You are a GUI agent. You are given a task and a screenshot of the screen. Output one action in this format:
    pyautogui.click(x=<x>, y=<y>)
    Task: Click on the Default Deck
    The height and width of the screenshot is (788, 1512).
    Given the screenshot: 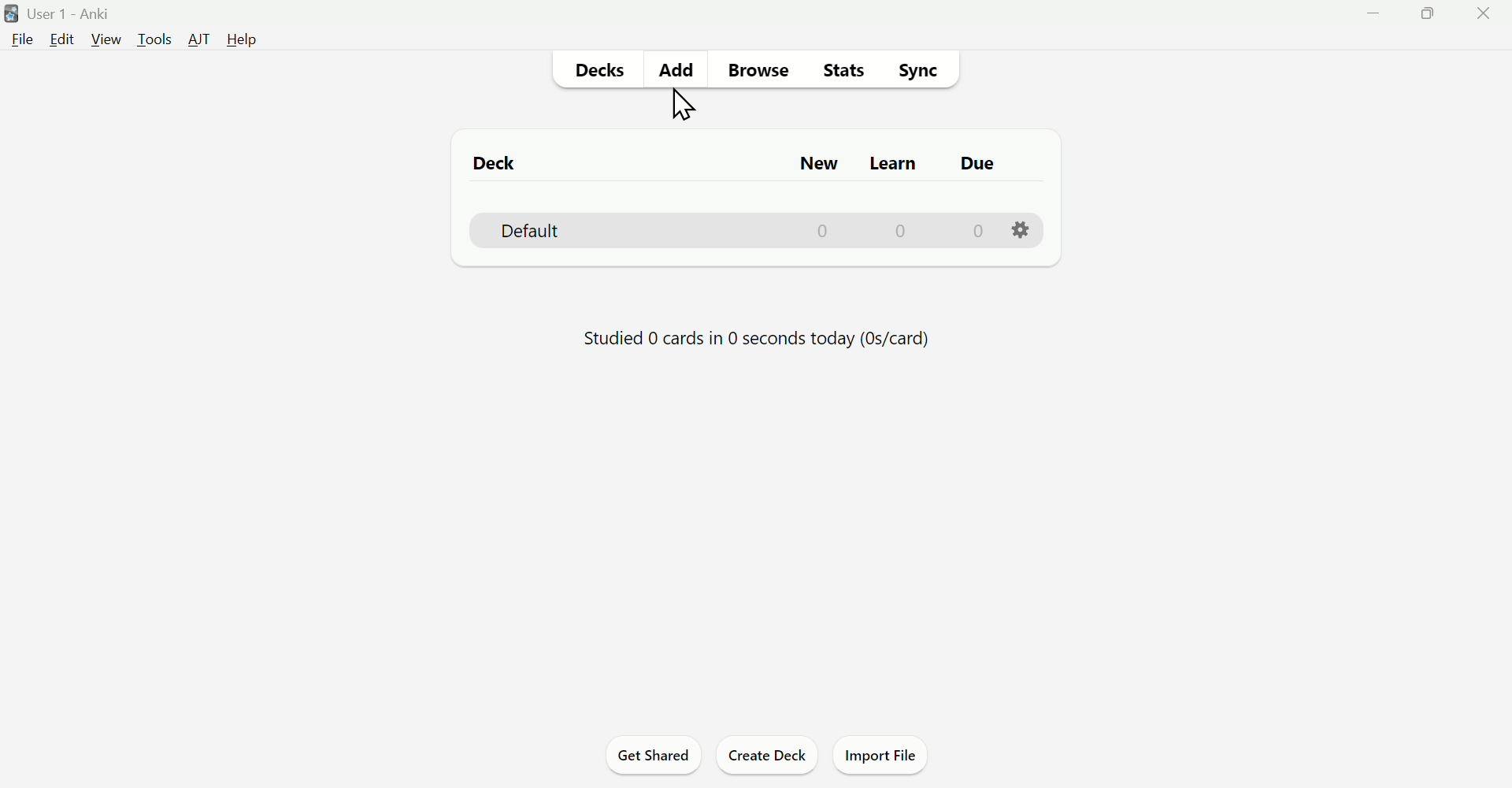 What is the action you would take?
    pyautogui.click(x=554, y=229)
    